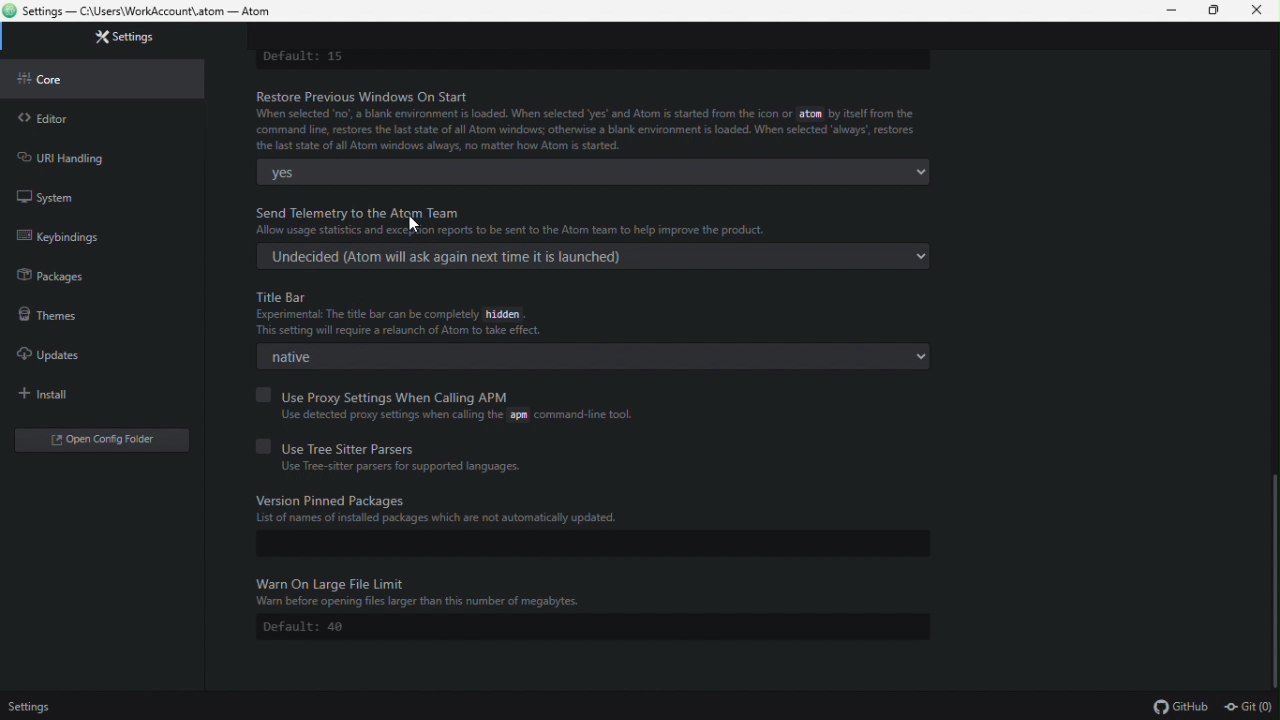 This screenshot has width=1280, height=720. I want to click on Install, so click(79, 393).